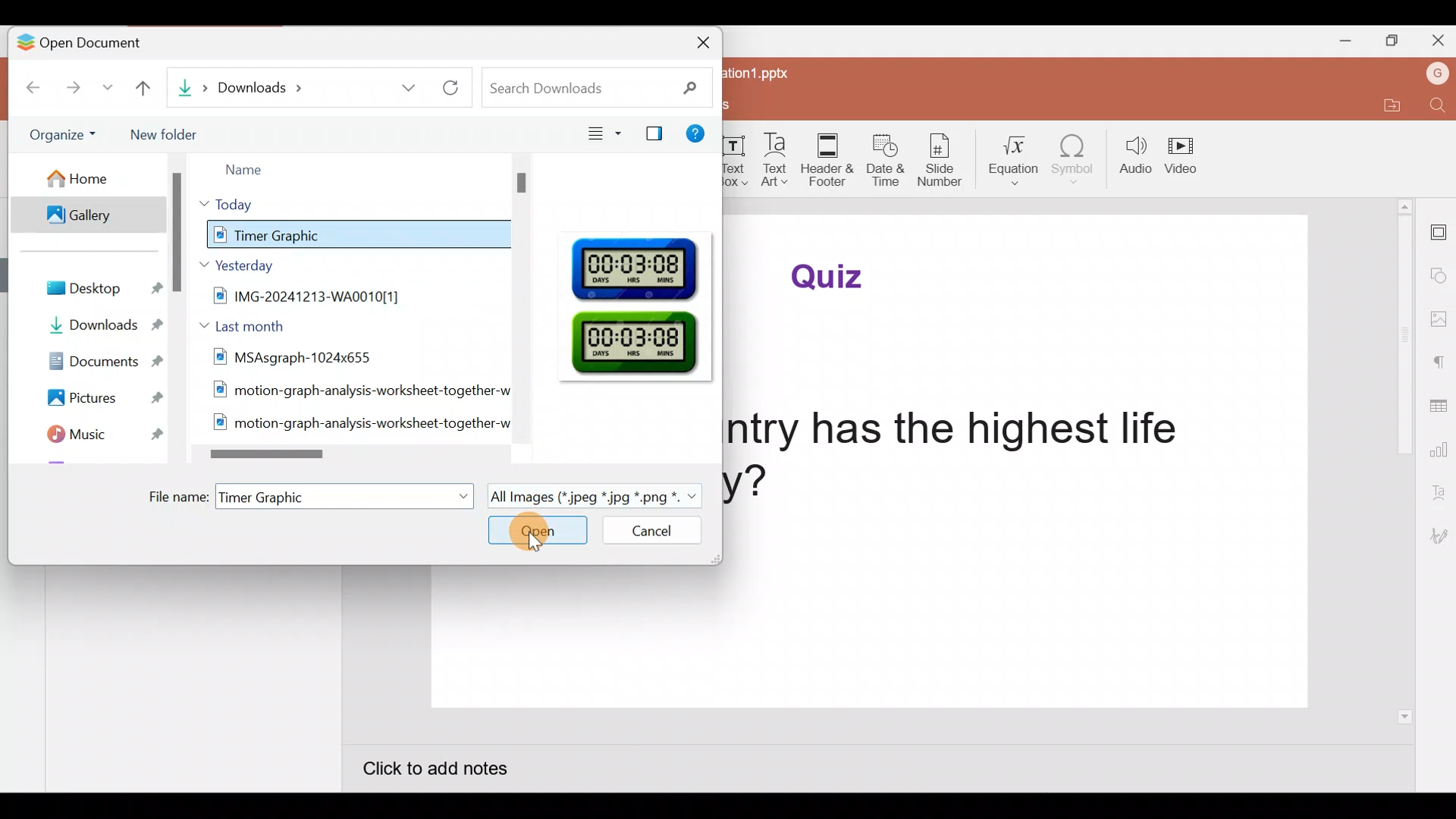 The width and height of the screenshot is (1456, 819). I want to click on Text Art settings, so click(1439, 494).